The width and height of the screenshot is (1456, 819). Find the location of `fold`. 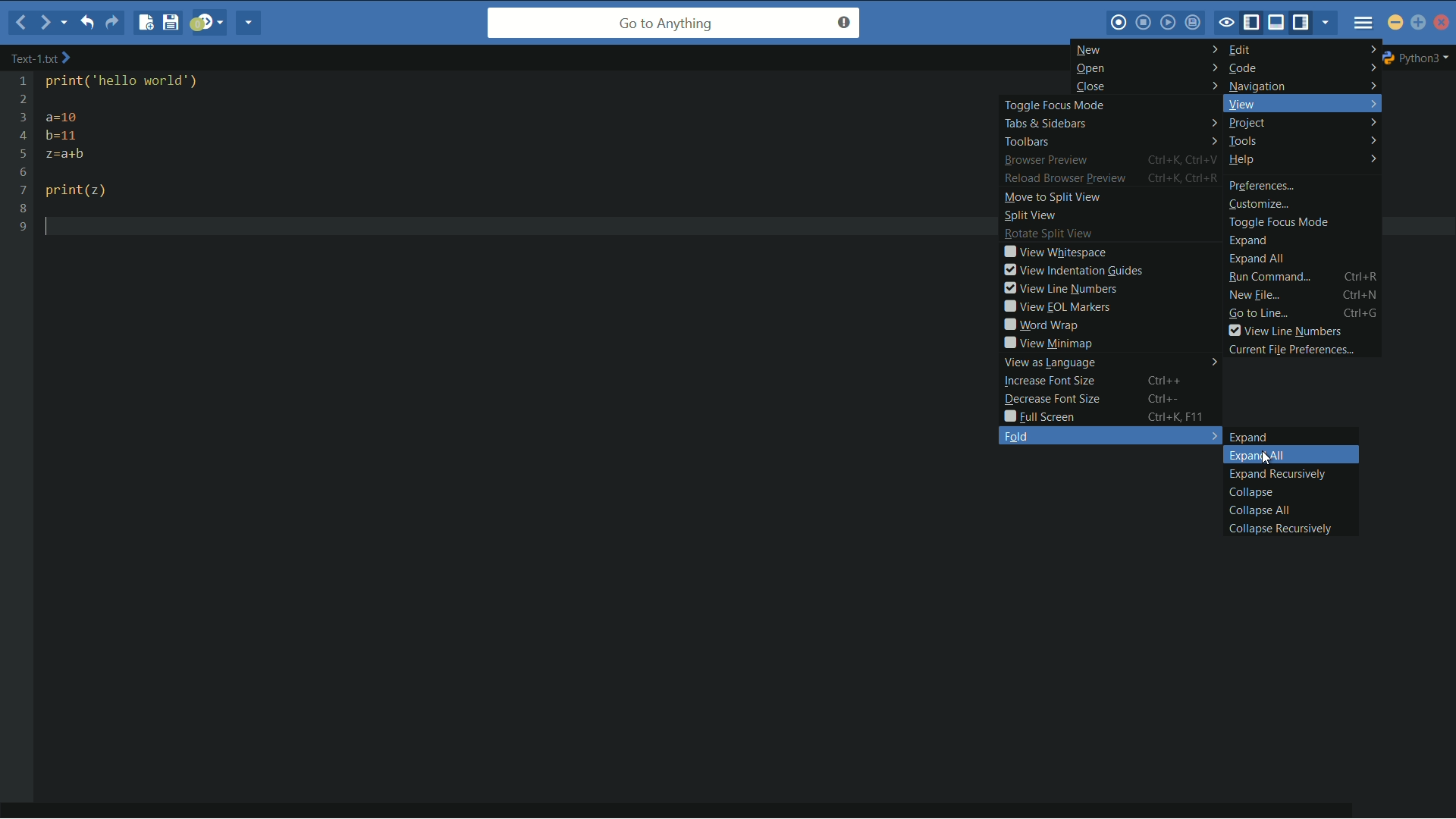

fold is located at coordinates (1109, 436).